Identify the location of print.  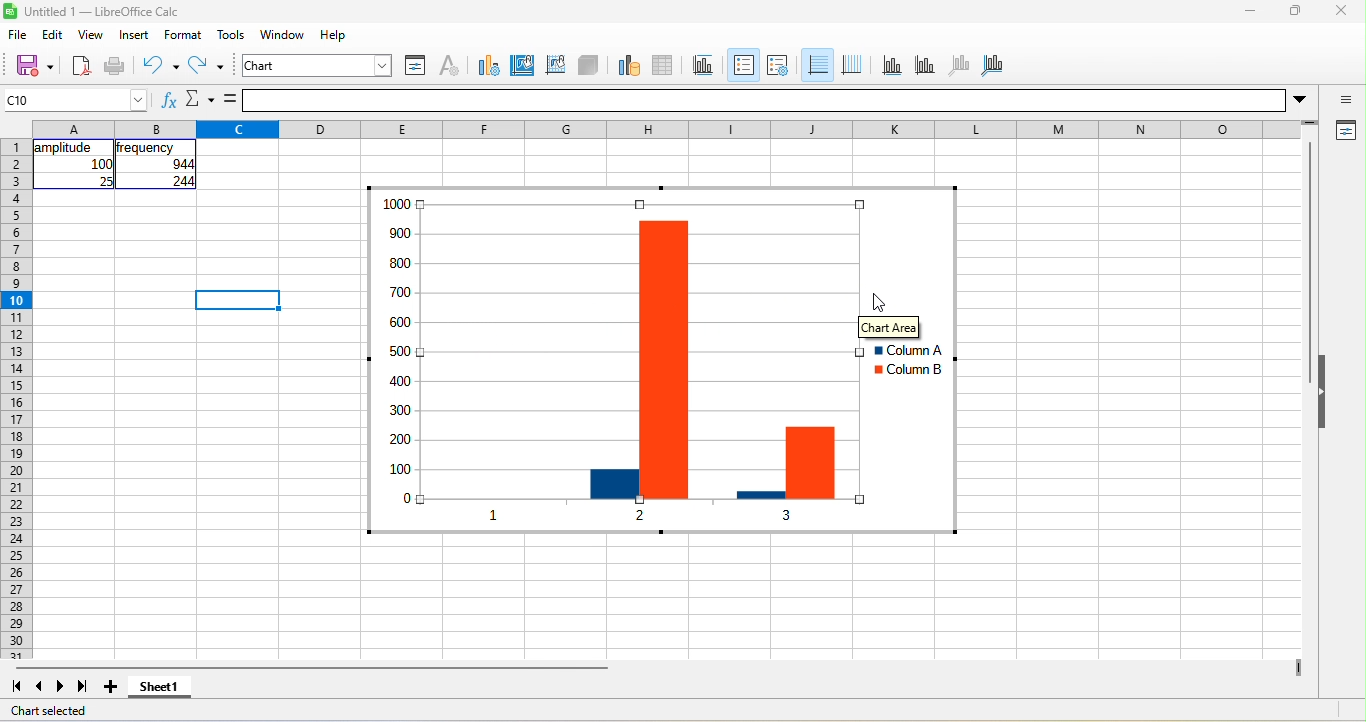
(115, 67).